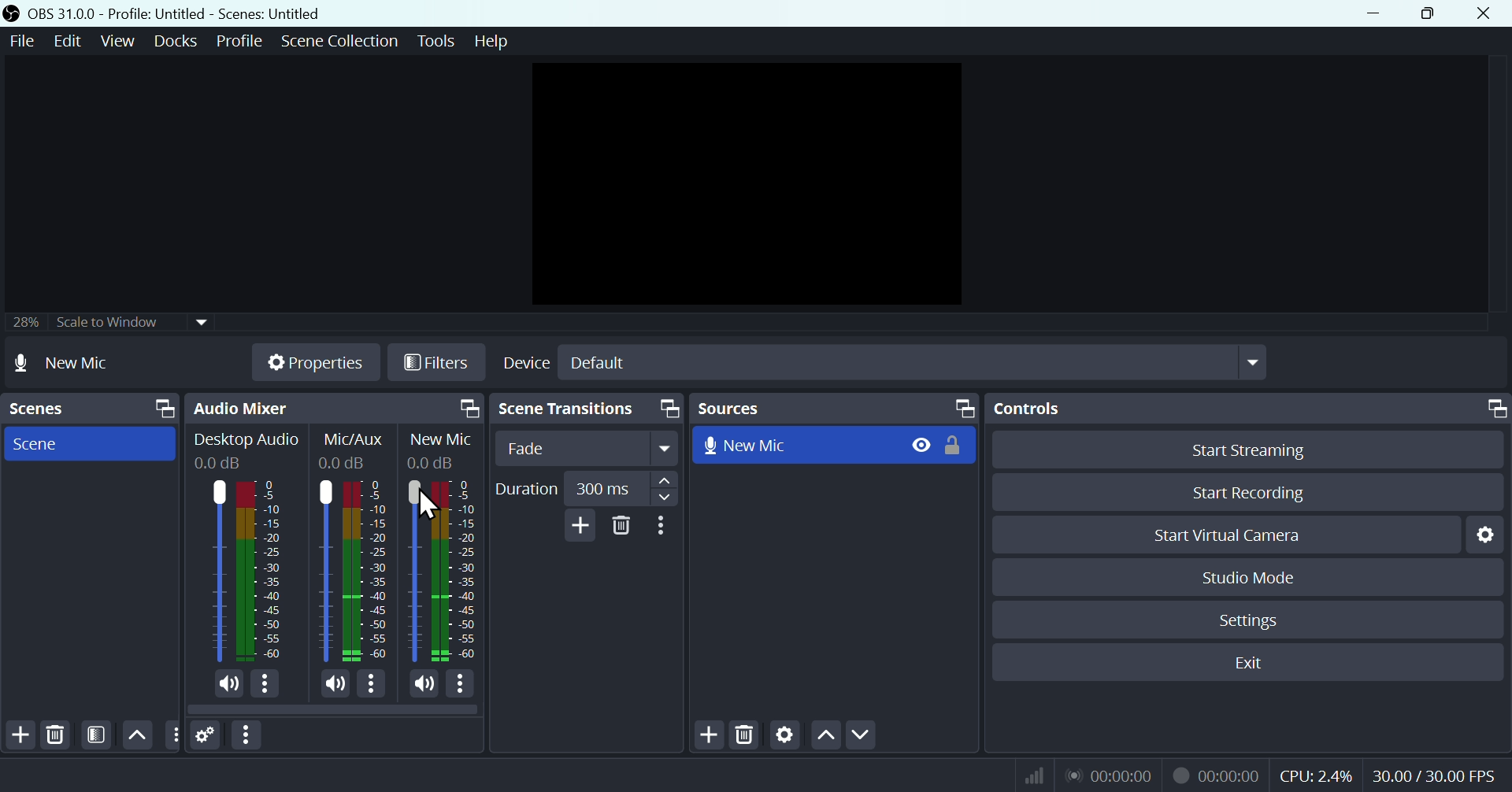 The image size is (1512, 792). I want to click on View, so click(120, 41).